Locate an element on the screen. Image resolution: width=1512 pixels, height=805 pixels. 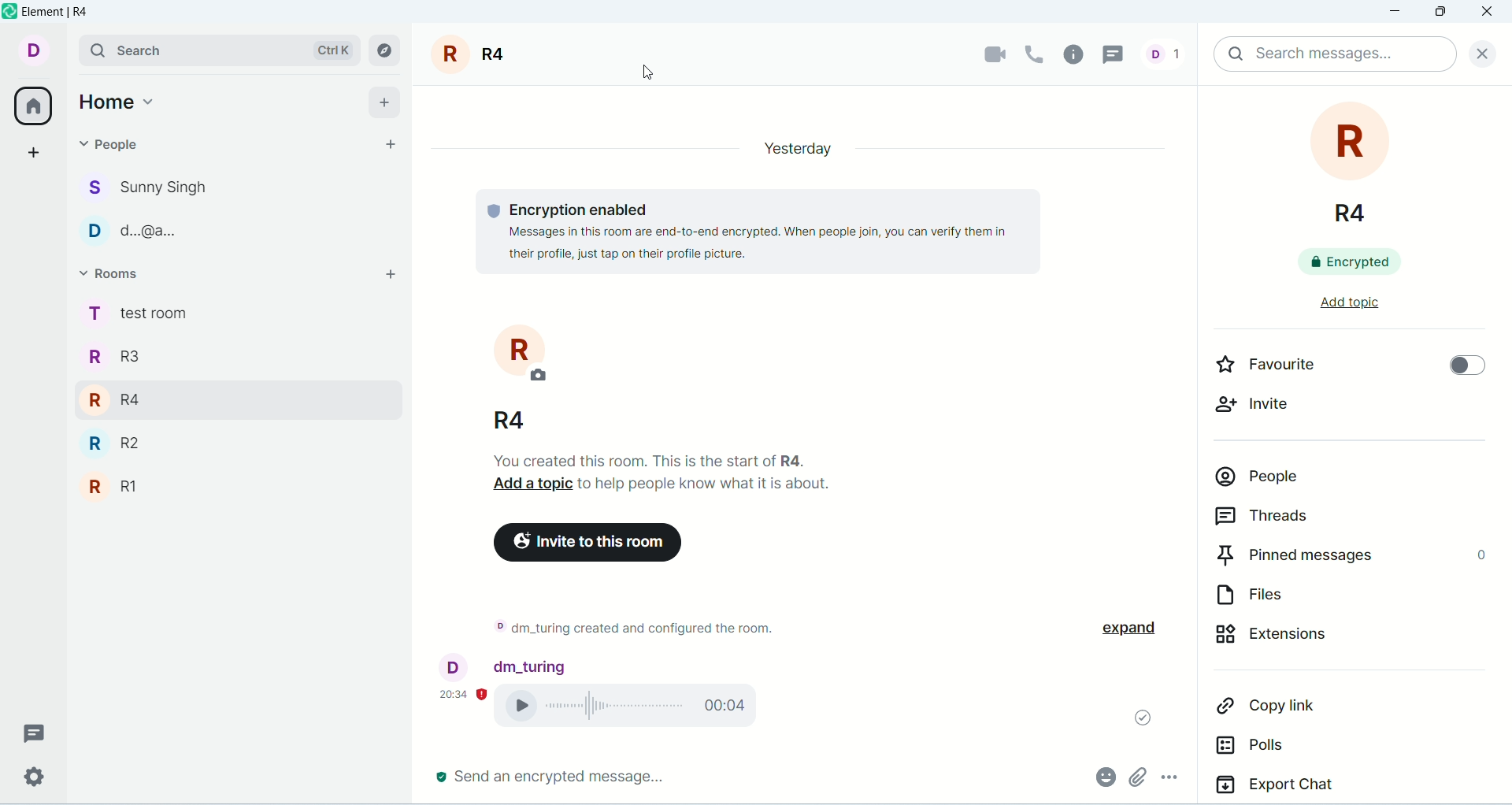
send message is located at coordinates (552, 777).